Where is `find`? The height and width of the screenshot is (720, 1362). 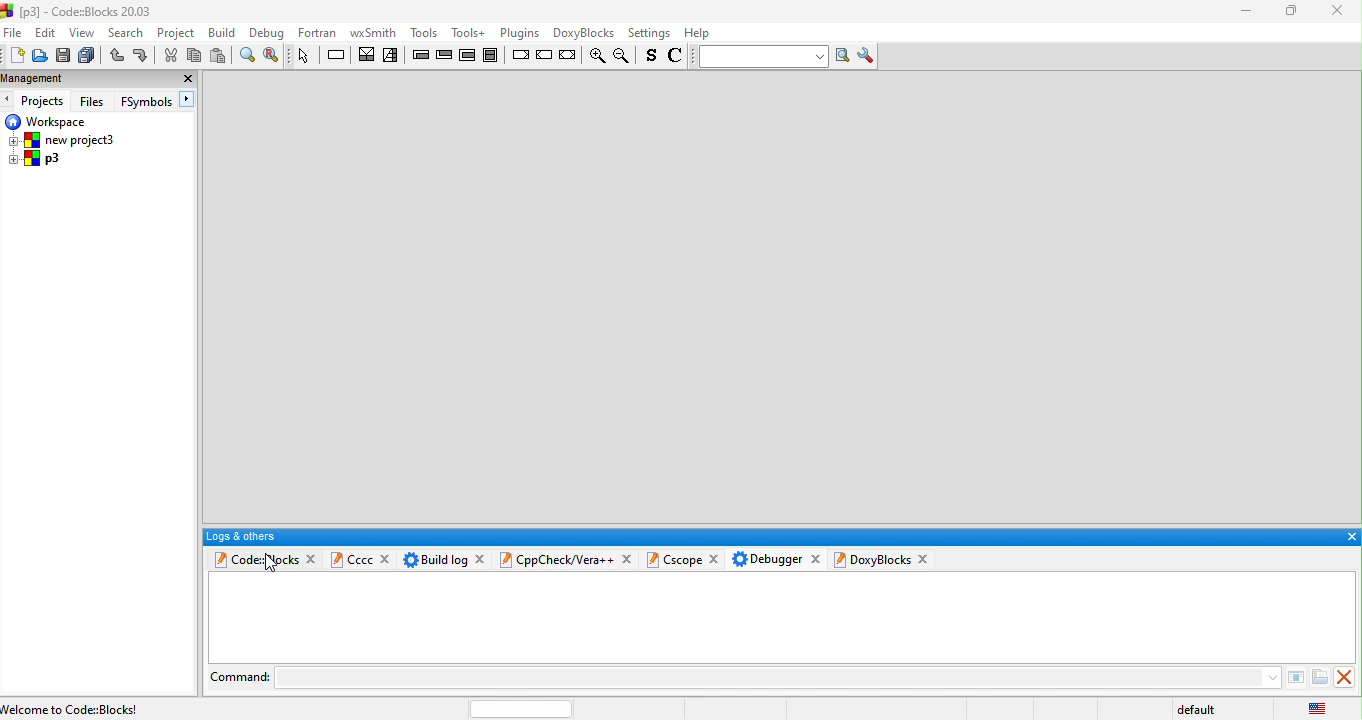
find is located at coordinates (246, 55).